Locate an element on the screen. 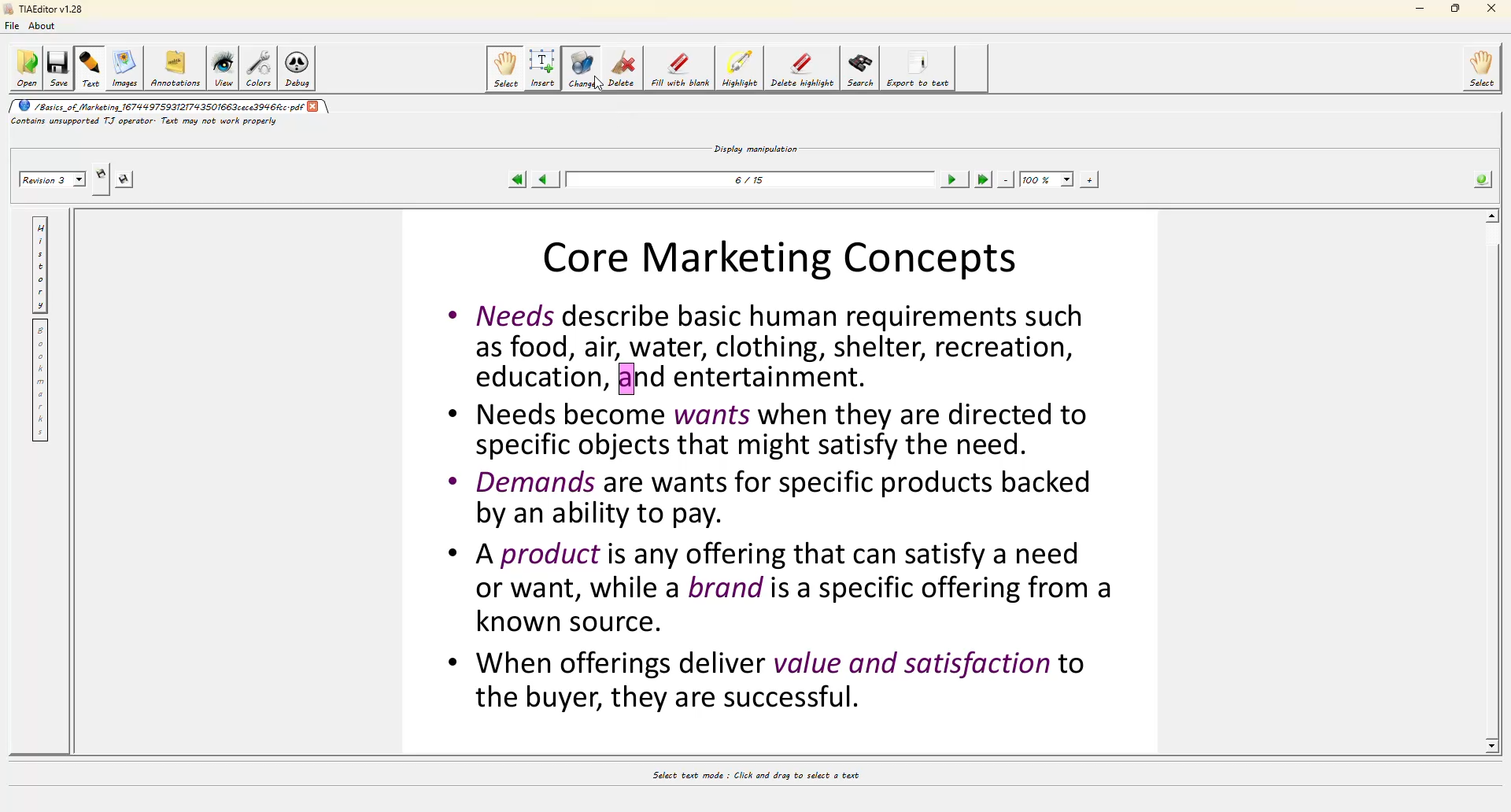 This screenshot has width=1511, height=812. select is located at coordinates (507, 68).